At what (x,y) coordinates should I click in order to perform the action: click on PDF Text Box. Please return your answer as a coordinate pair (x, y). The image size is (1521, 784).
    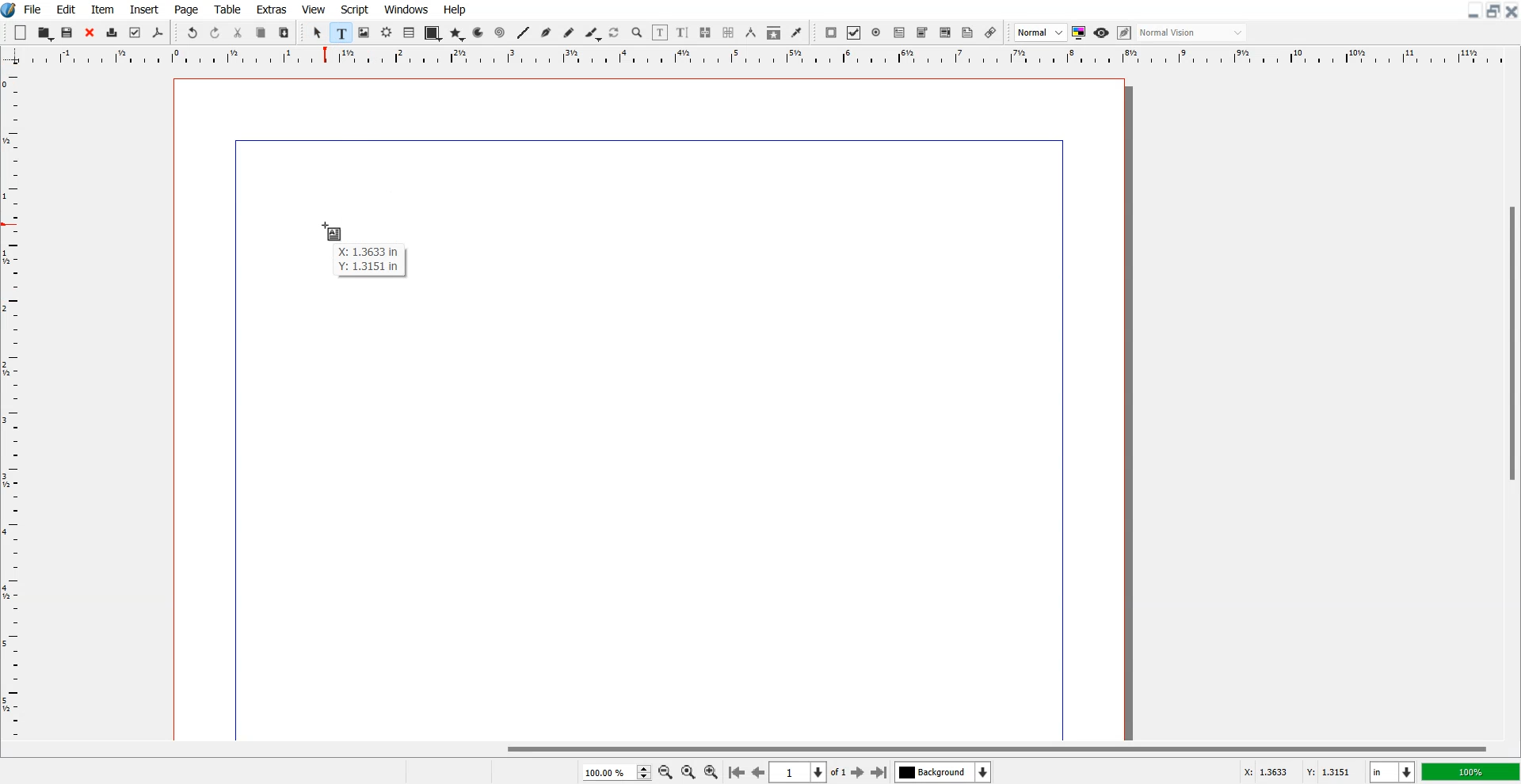
    Looking at the image, I should click on (899, 32).